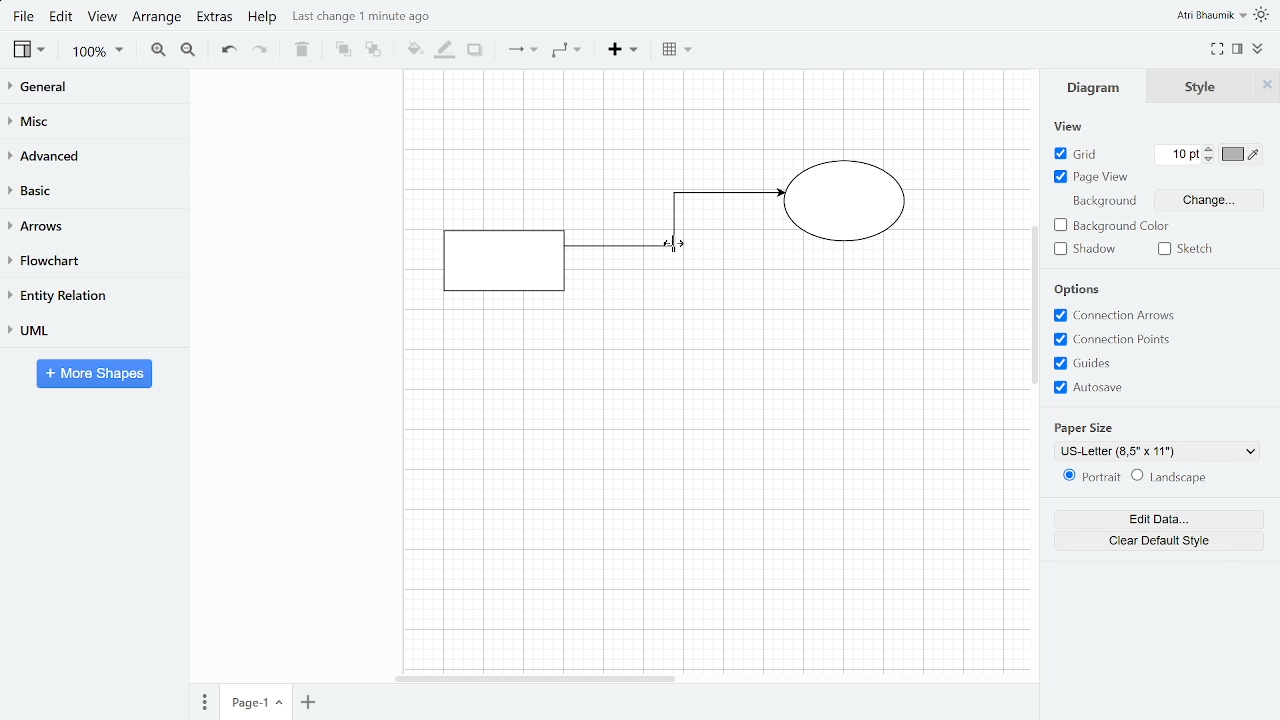 This screenshot has width=1280, height=720. I want to click on Diagram, so click(1094, 88).